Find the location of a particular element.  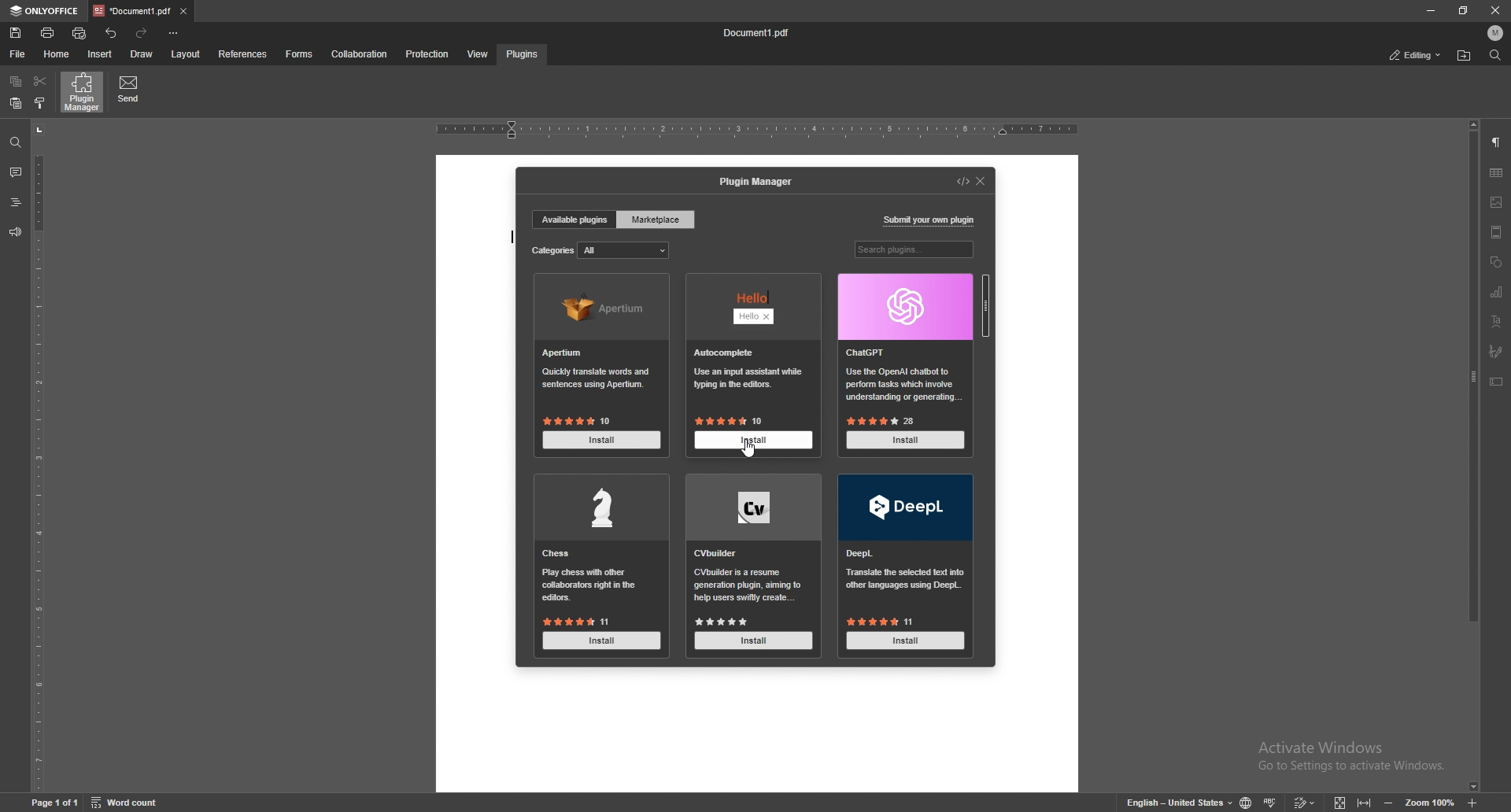

document is located at coordinates (755, 161).